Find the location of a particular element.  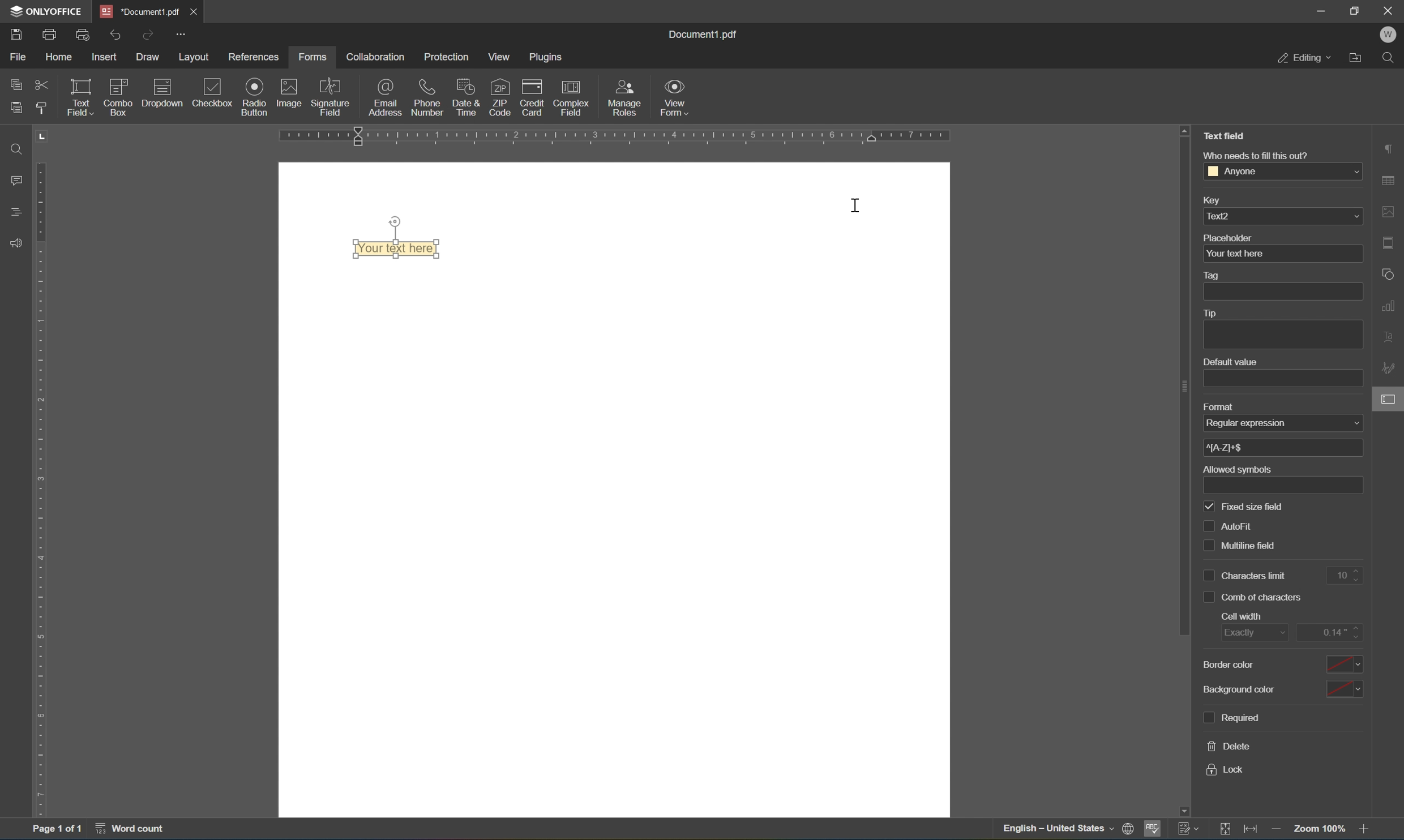

border color is located at coordinates (1228, 663).